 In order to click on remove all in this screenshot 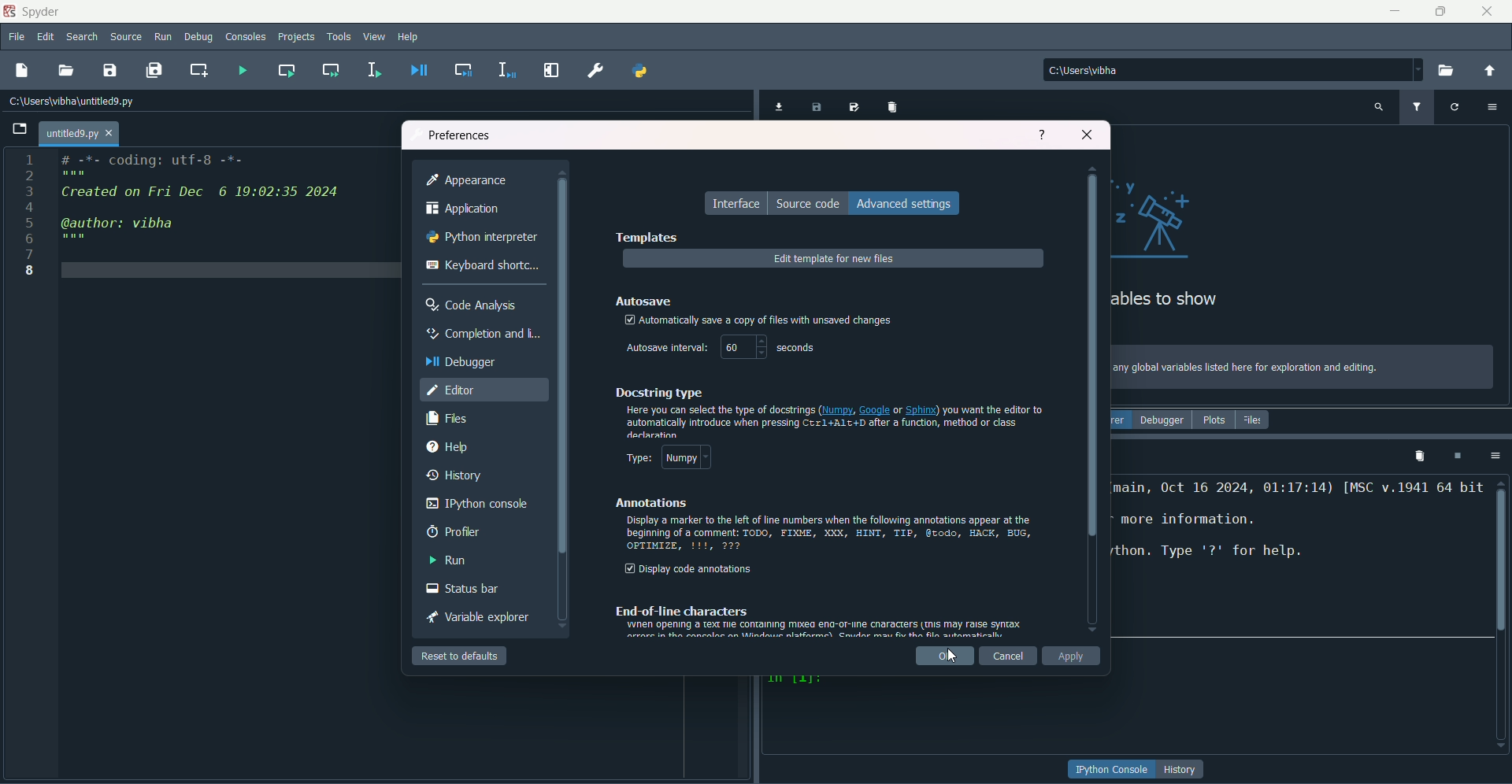, I will do `click(1417, 455)`.